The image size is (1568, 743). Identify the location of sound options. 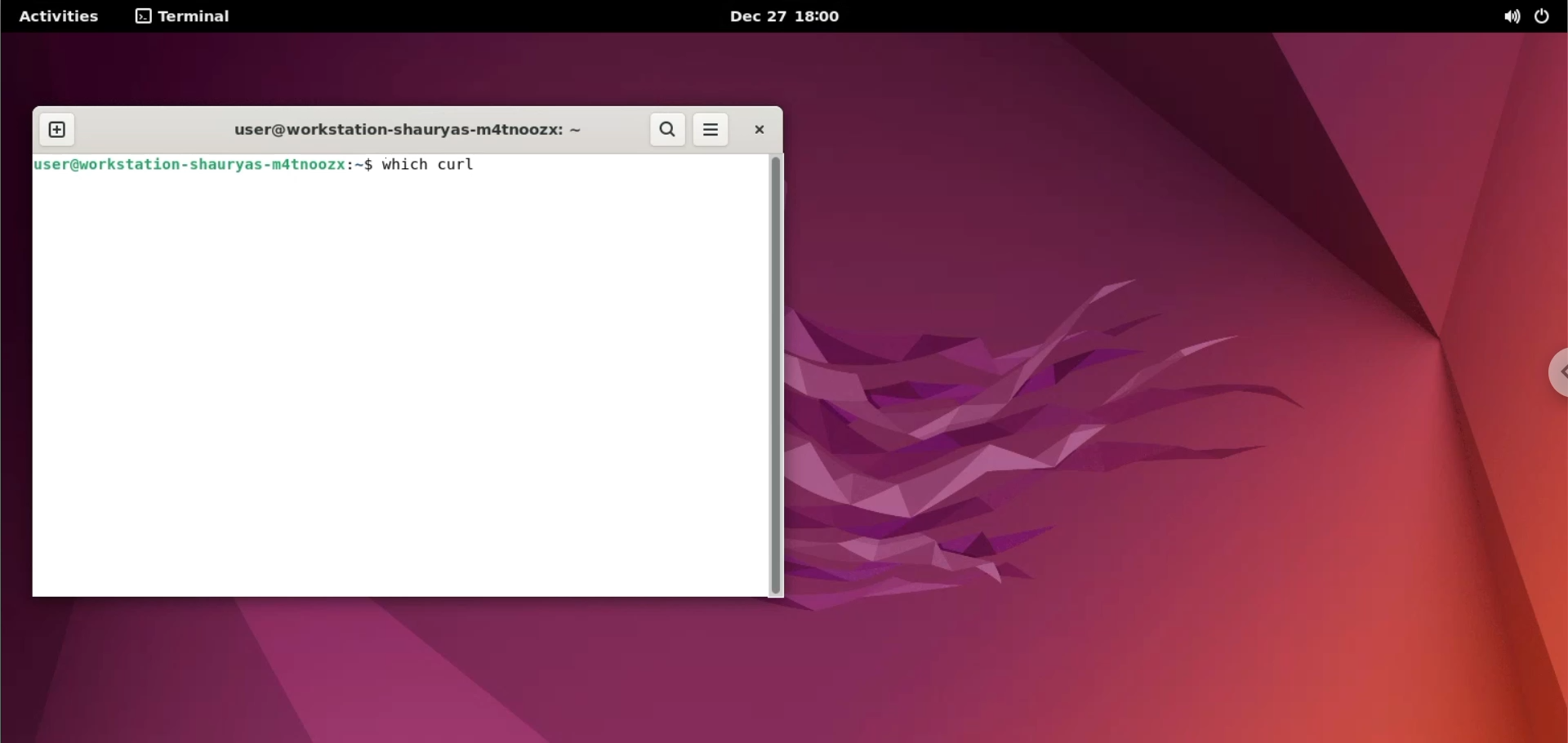
(1508, 17).